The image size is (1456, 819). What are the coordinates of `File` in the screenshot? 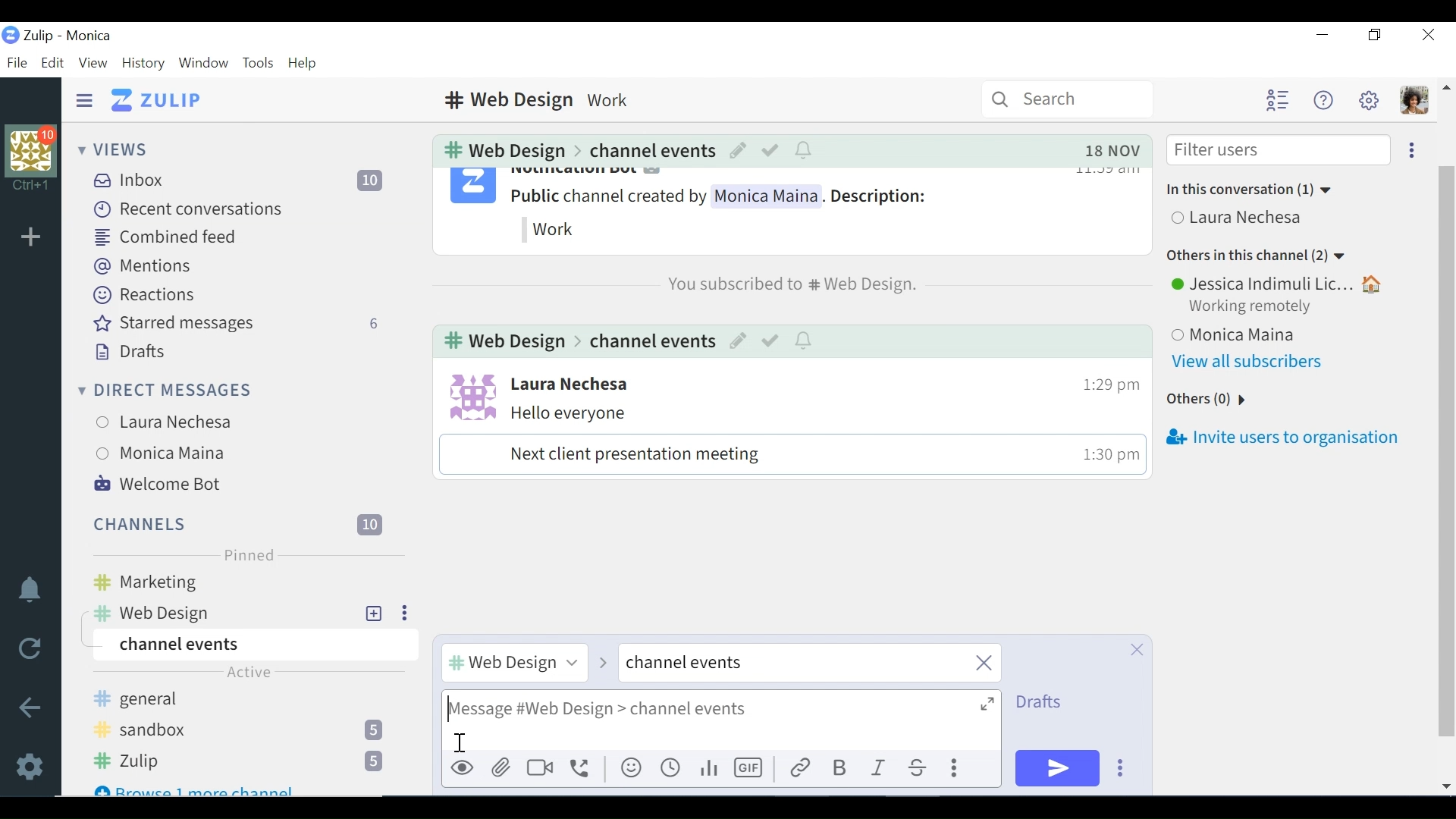 It's located at (16, 62).